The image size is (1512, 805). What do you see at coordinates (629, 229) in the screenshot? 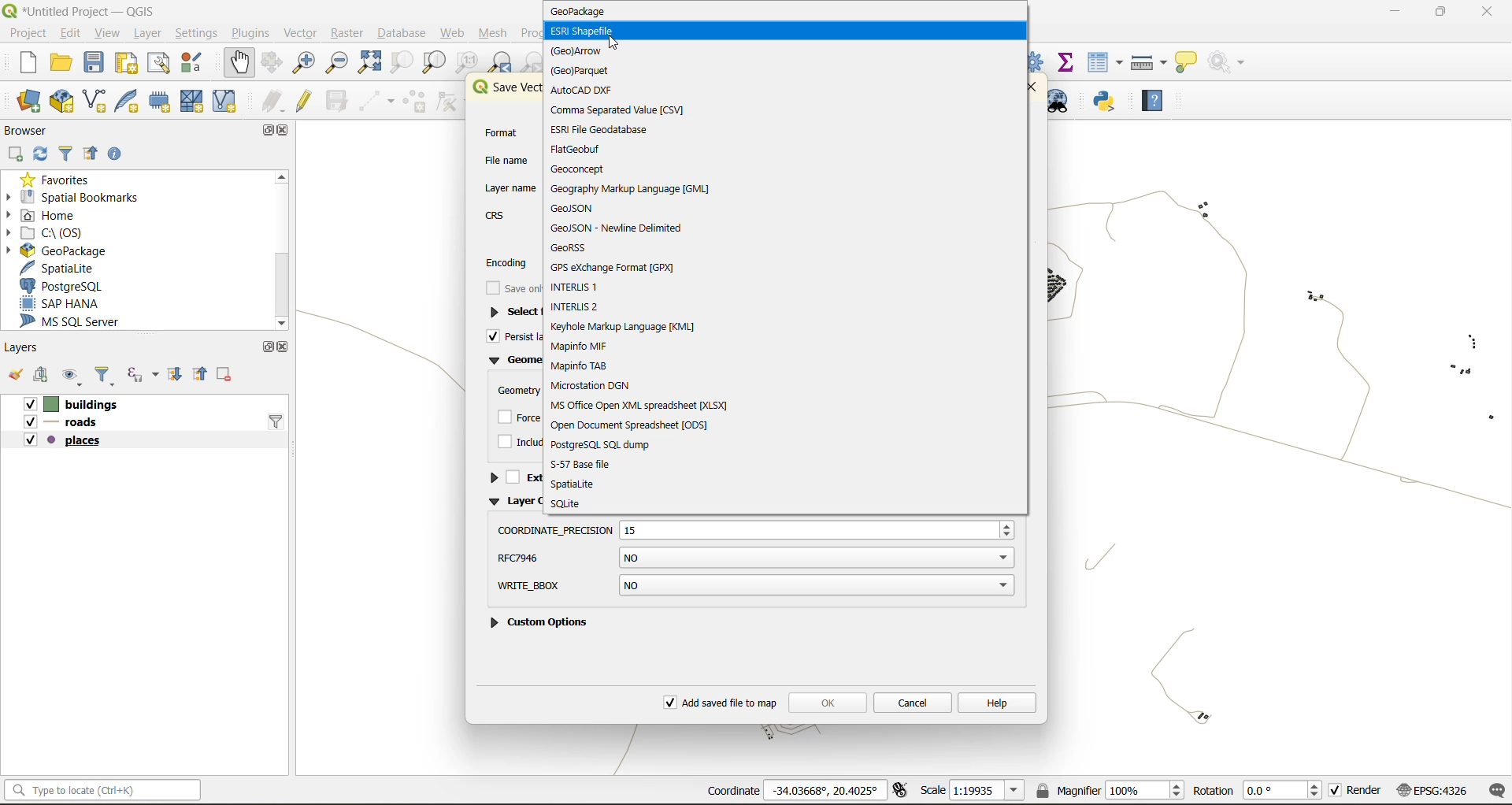
I see `geojson new` at bounding box center [629, 229].